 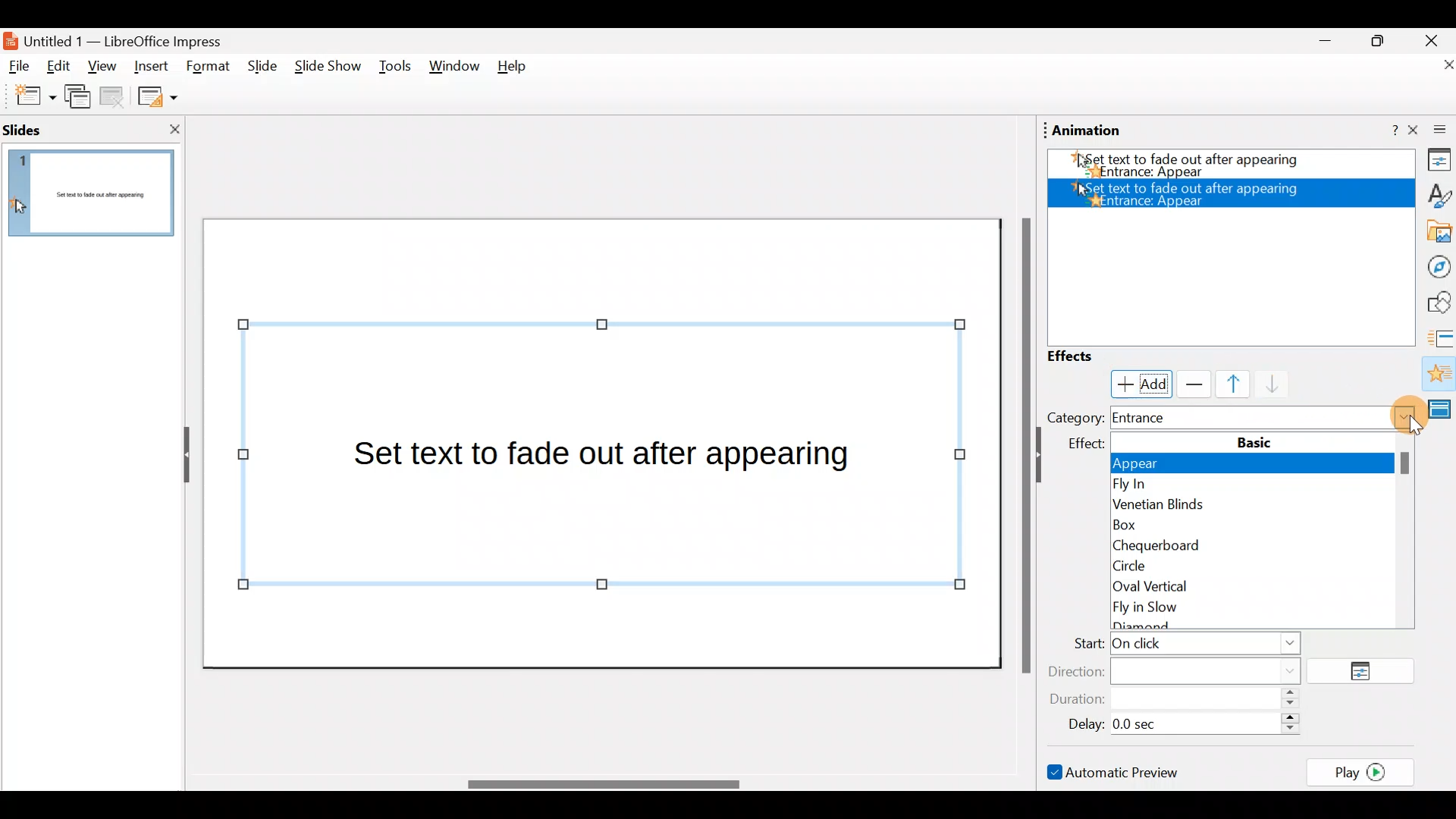 What do you see at coordinates (1184, 670) in the screenshot?
I see `Direction` at bounding box center [1184, 670].